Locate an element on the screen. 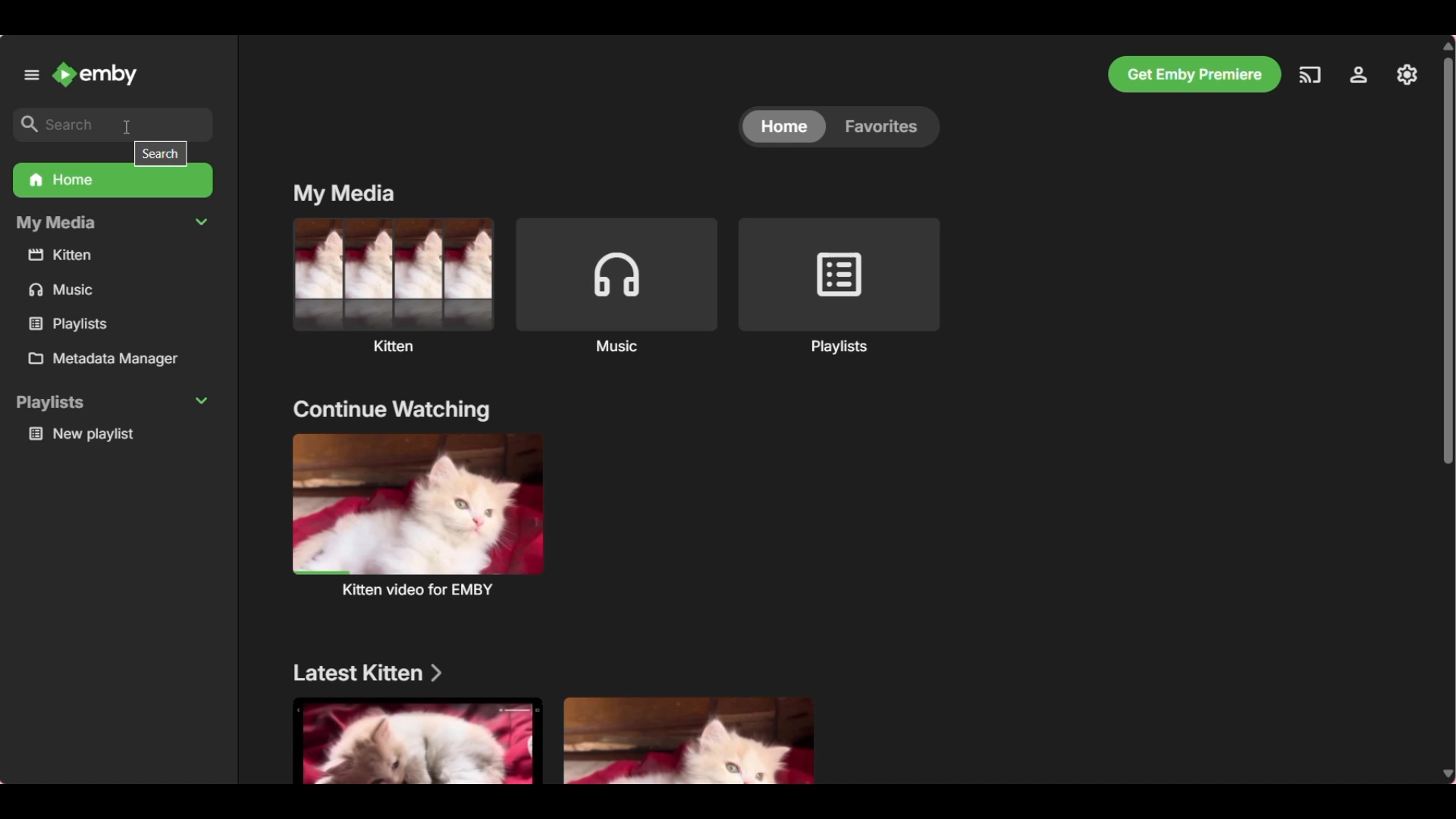 Image resolution: width=1456 pixels, height=819 pixels. search is located at coordinates (115, 123).